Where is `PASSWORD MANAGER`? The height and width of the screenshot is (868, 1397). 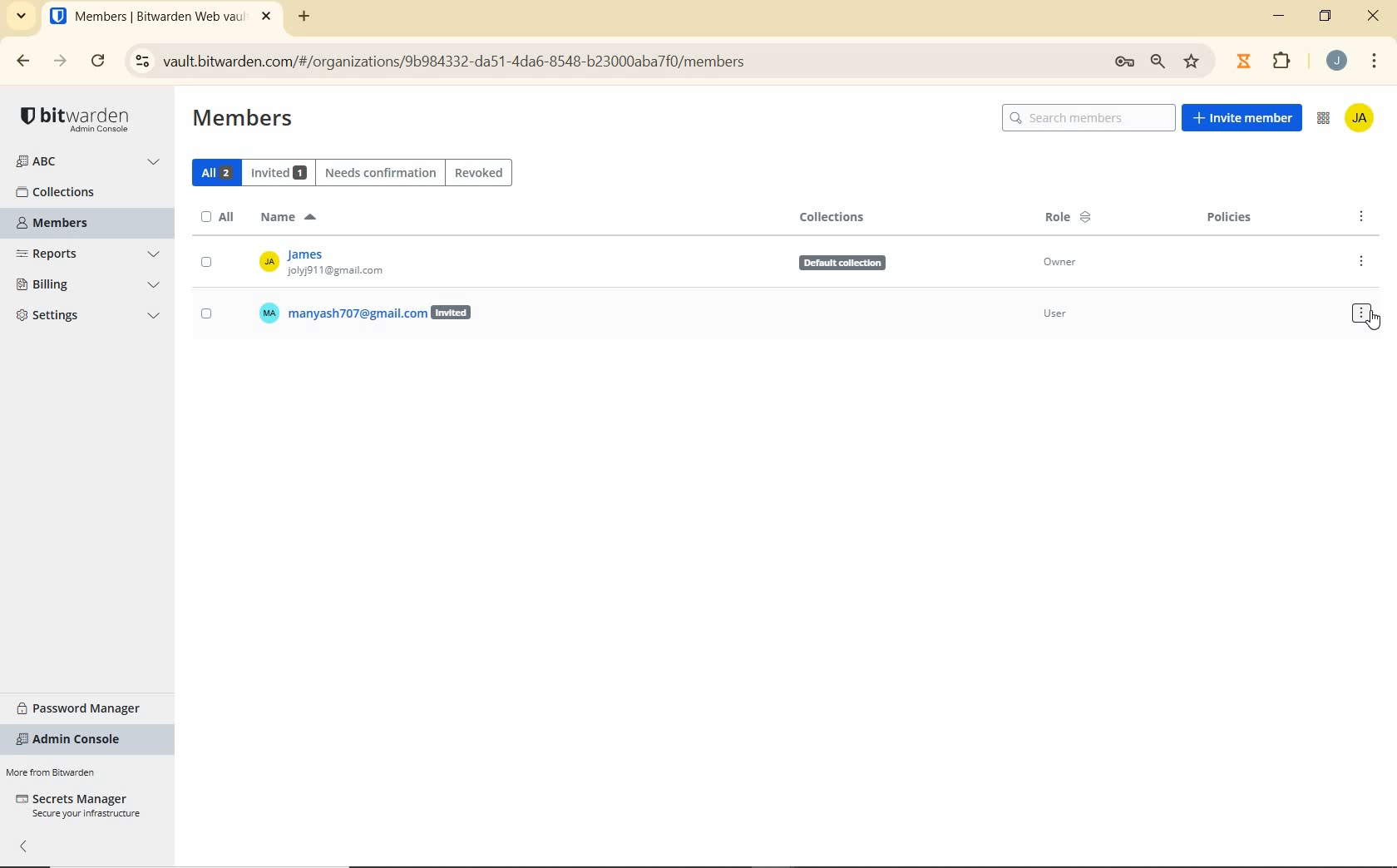 PASSWORD MANAGER is located at coordinates (86, 706).